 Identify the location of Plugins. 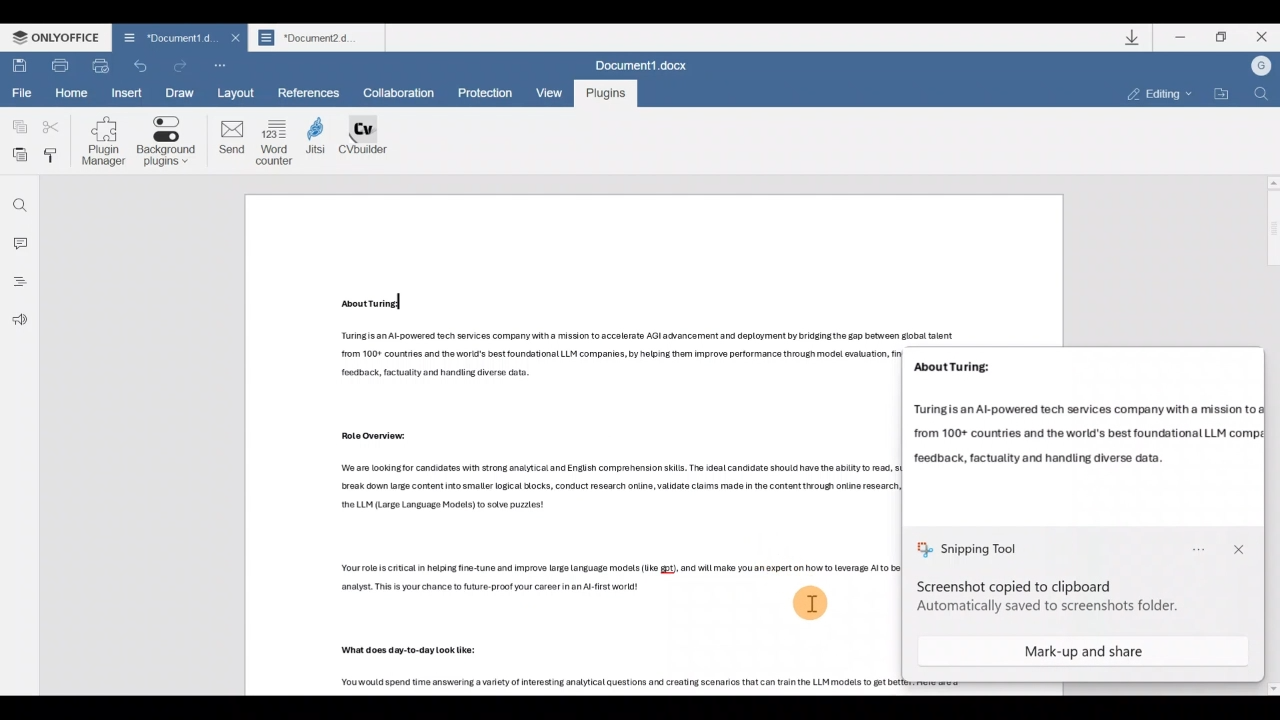
(606, 93).